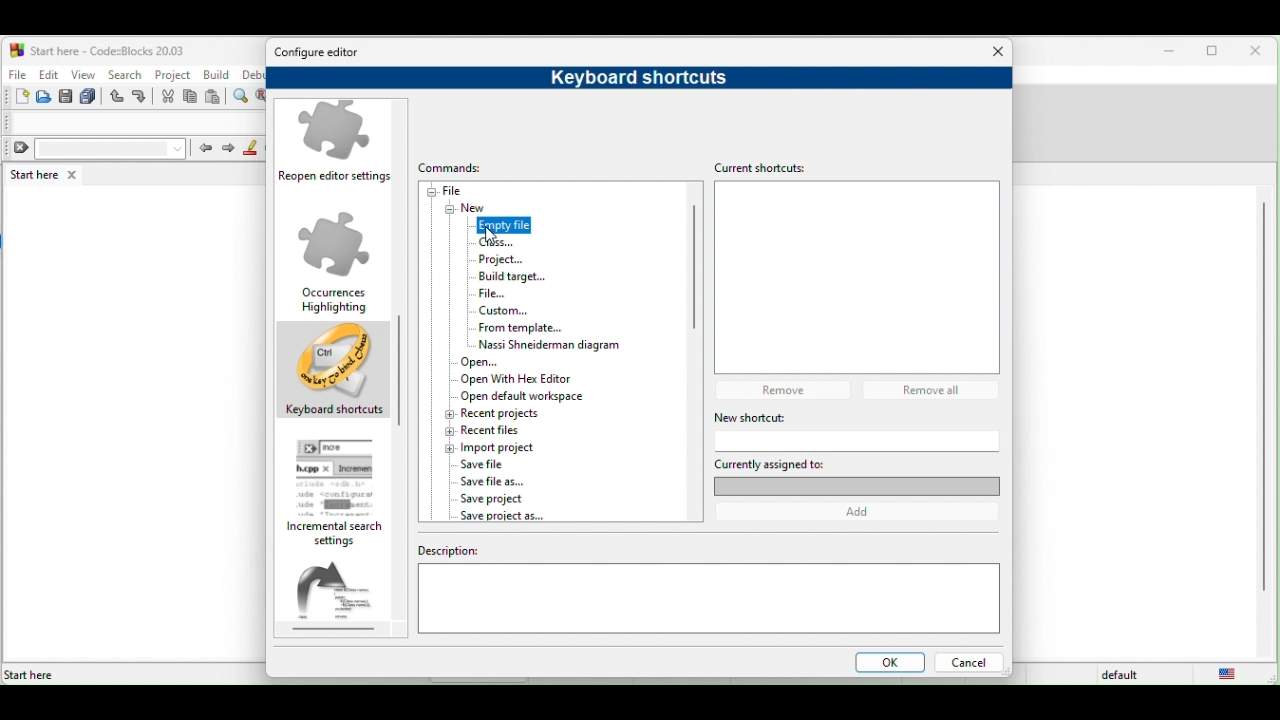 The height and width of the screenshot is (720, 1280). I want to click on copy, so click(191, 98).